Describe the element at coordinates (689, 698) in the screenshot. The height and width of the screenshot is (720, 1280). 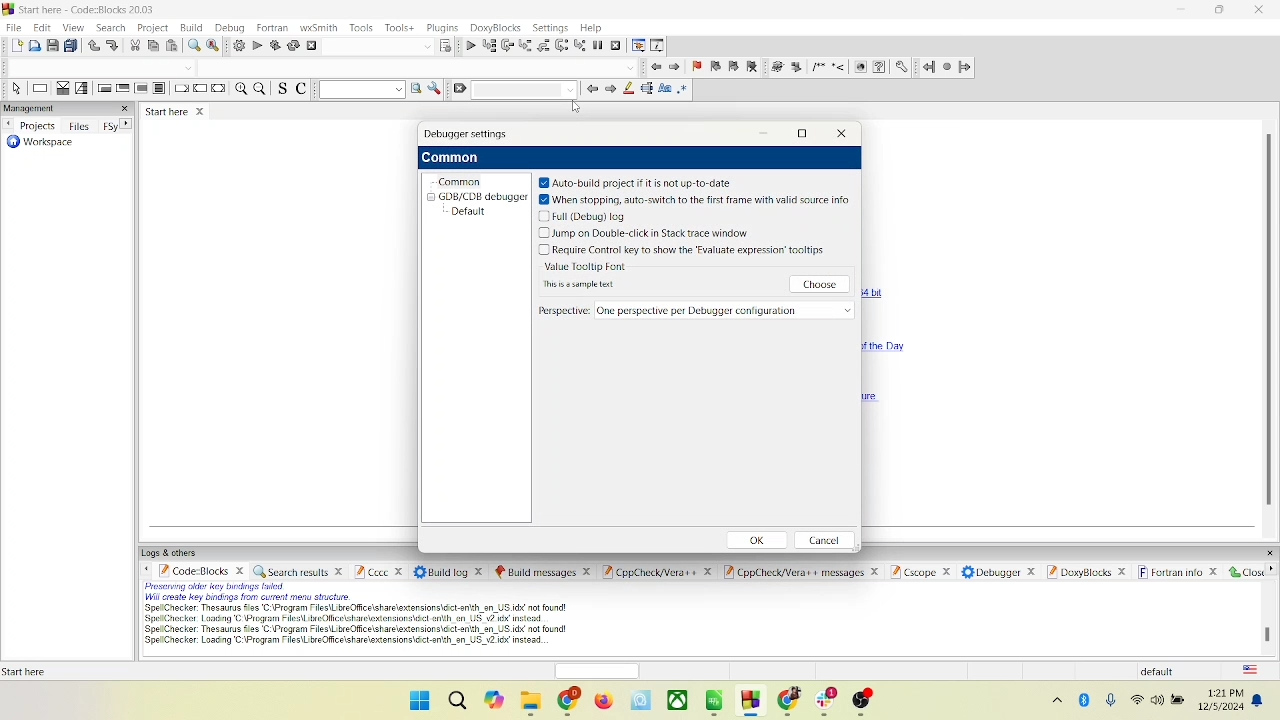
I see `apps` at that location.